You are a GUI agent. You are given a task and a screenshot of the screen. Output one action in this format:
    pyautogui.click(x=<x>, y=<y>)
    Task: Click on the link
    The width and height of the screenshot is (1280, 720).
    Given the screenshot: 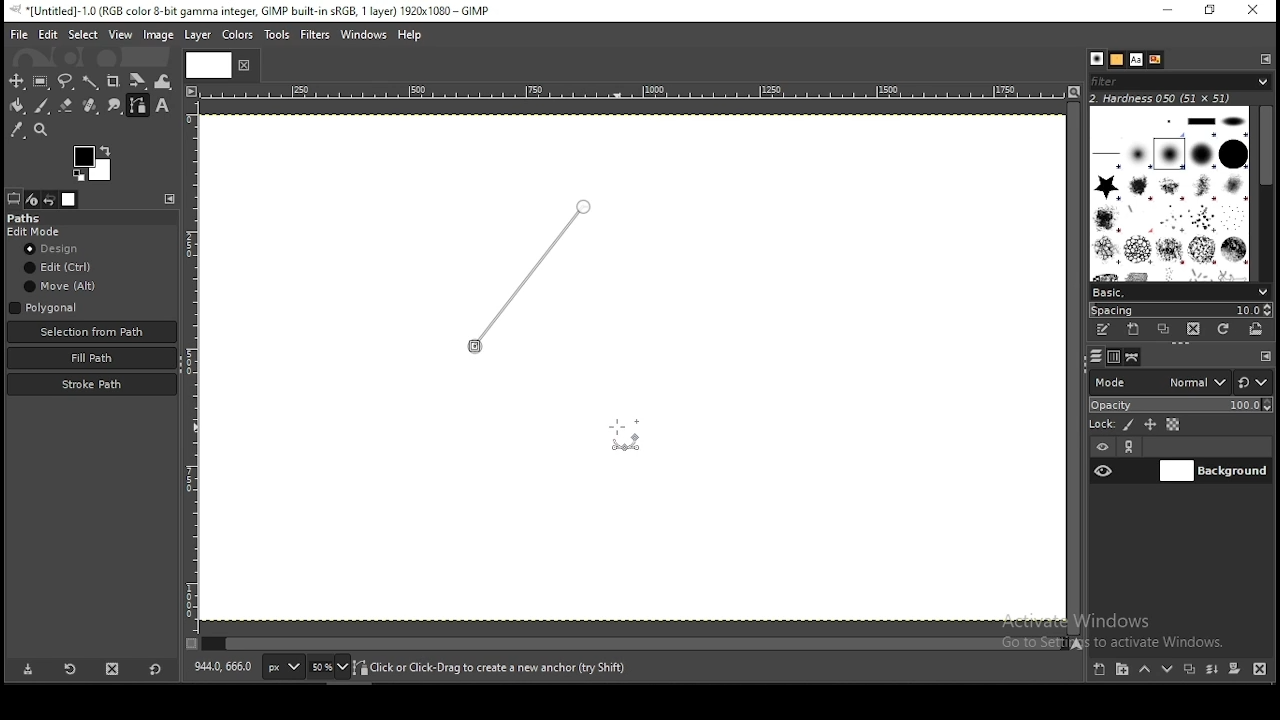 What is the action you would take?
    pyautogui.click(x=1131, y=447)
    